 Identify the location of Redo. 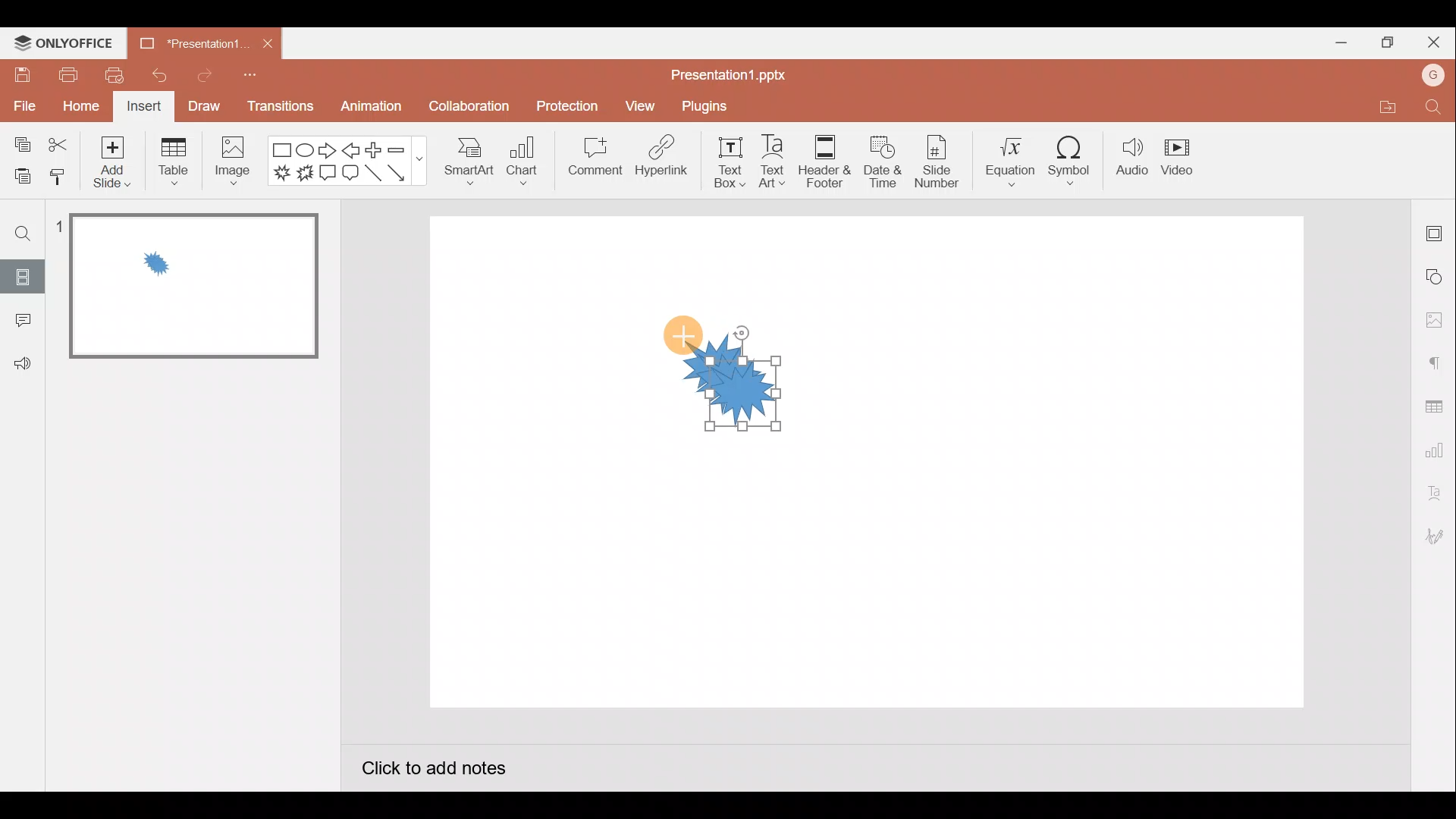
(199, 76).